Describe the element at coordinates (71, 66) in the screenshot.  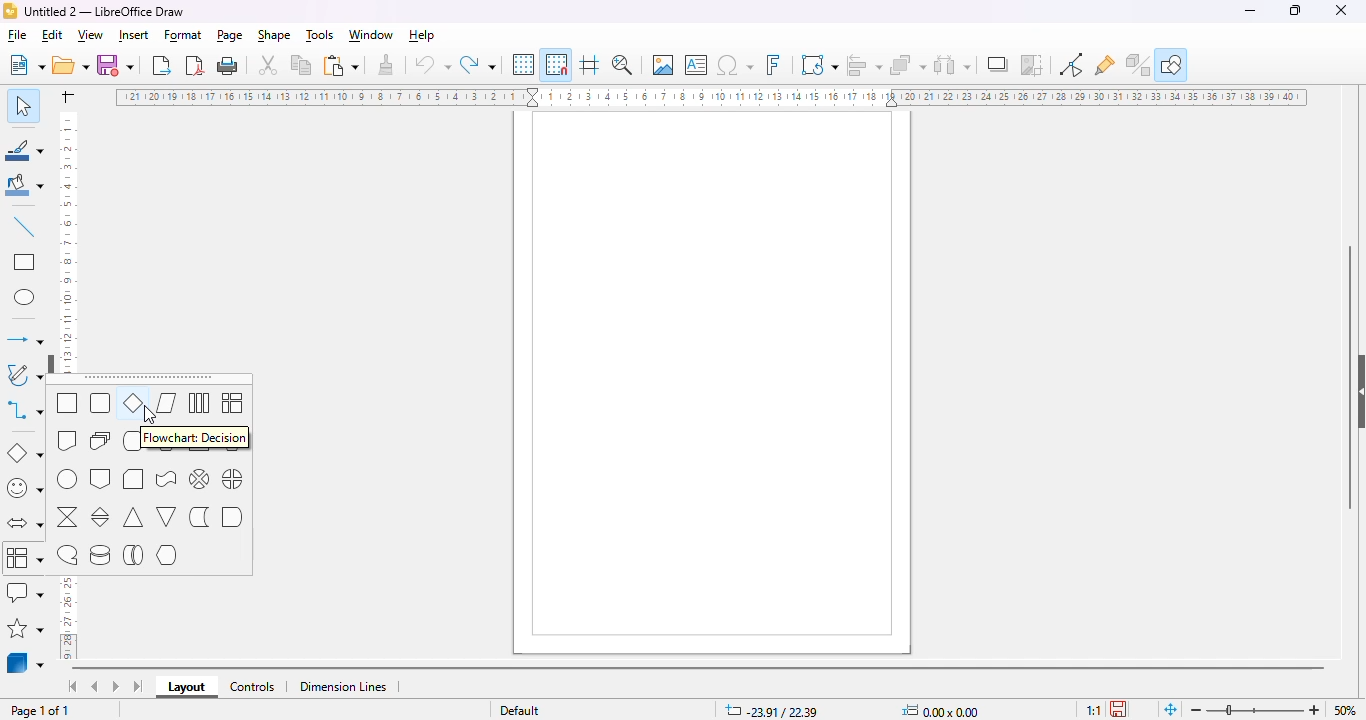
I see `open` at that location.